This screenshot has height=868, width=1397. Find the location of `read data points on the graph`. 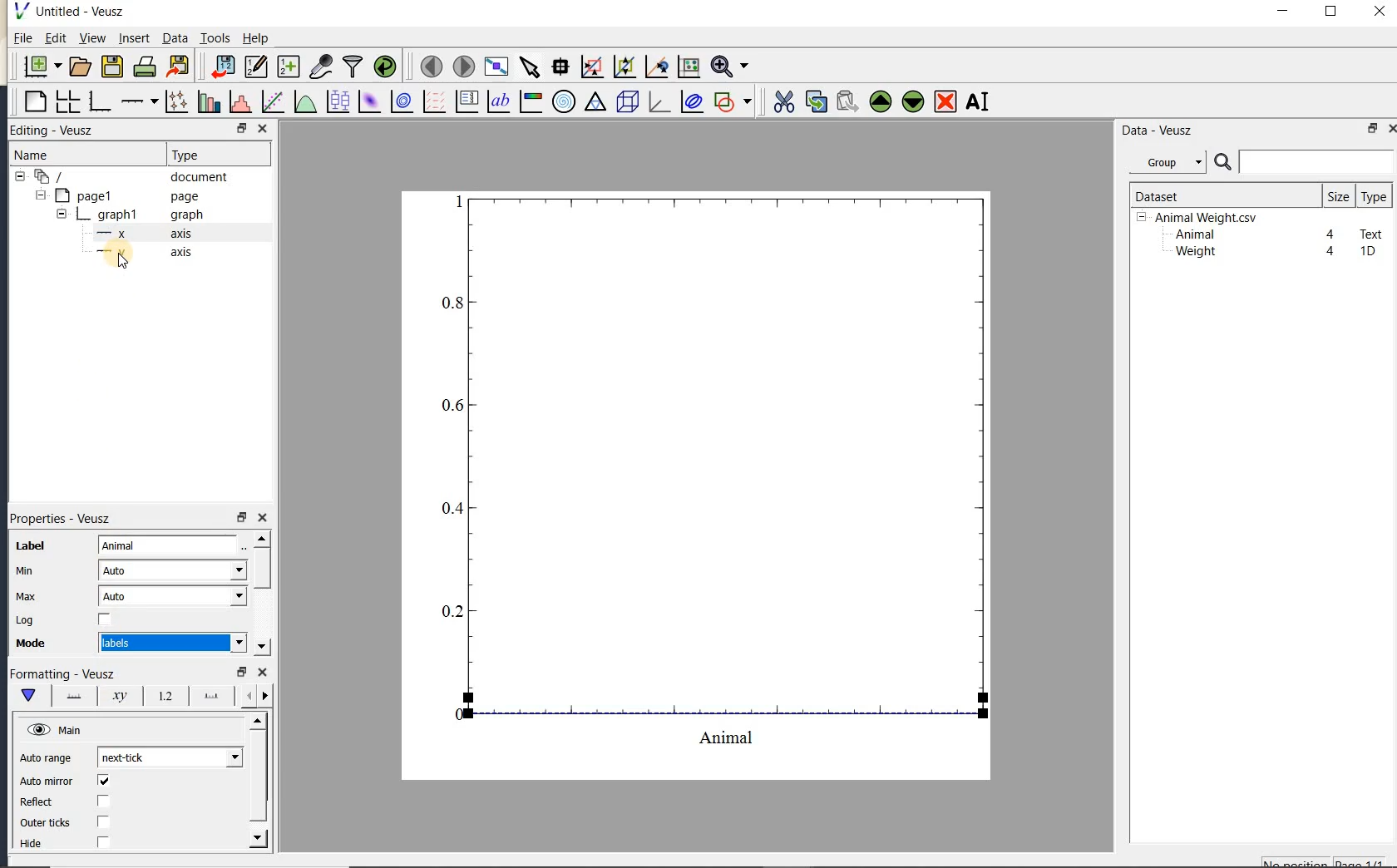

read data points on the graph is located at coordinates (560, 67).